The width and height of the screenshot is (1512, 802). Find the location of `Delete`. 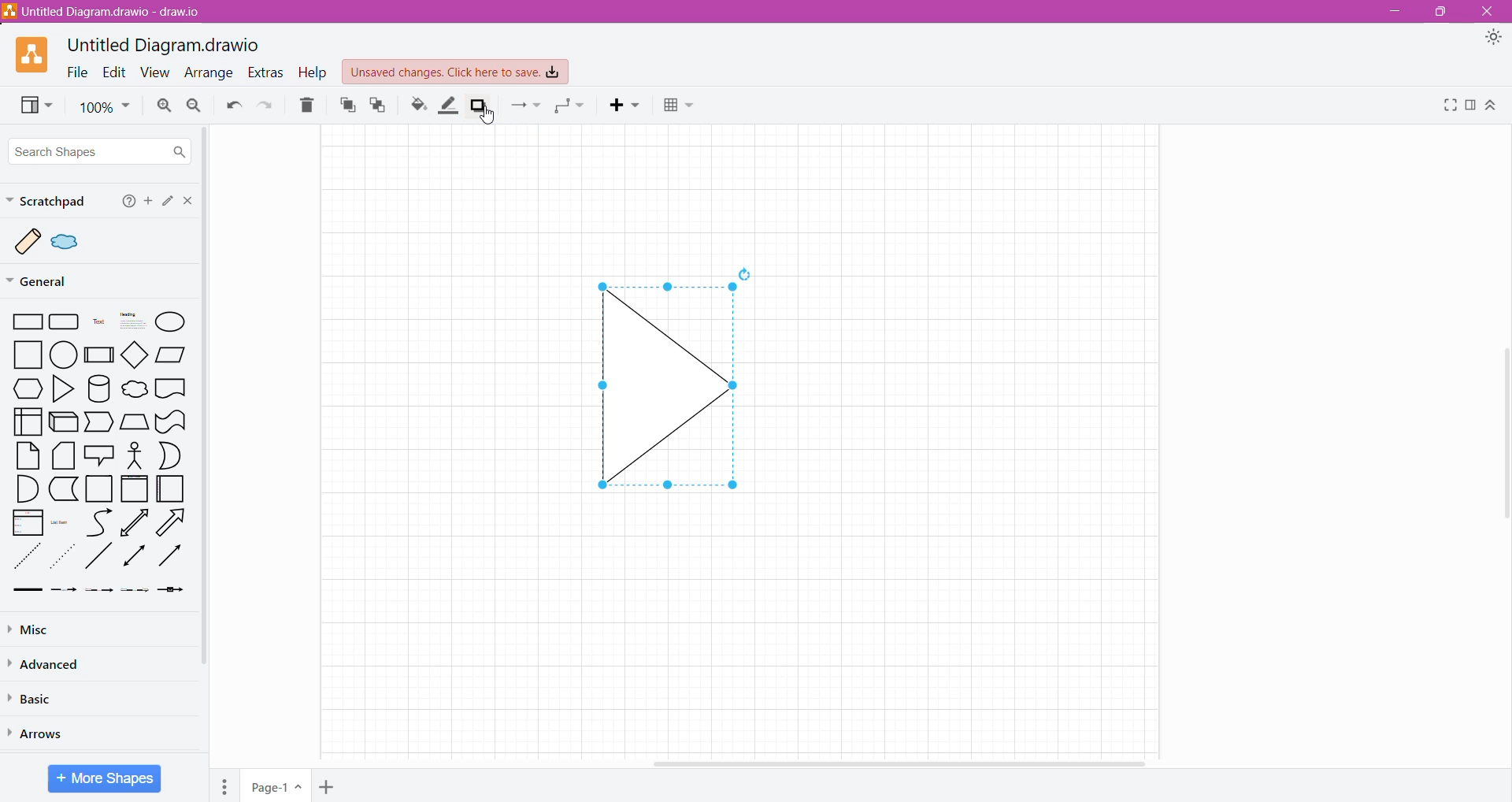

Delete is located at coordinates (305, 106).